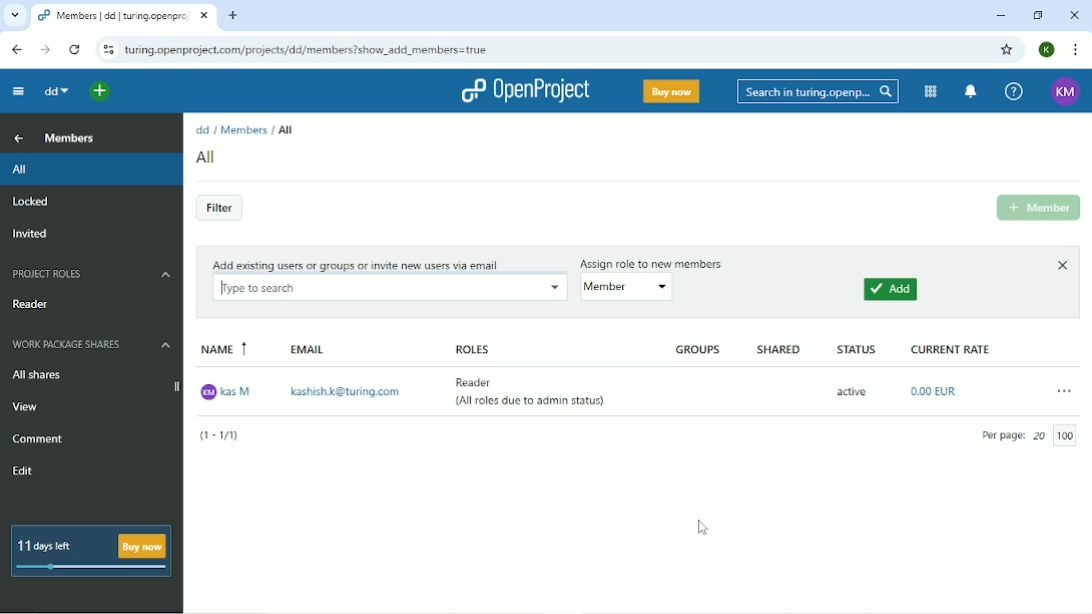 The height and width of the screenshot is (614, 1092). What do you see at coordinates (285, 129) in the screenshot?
I see `All` at bounding box center [285, 129].